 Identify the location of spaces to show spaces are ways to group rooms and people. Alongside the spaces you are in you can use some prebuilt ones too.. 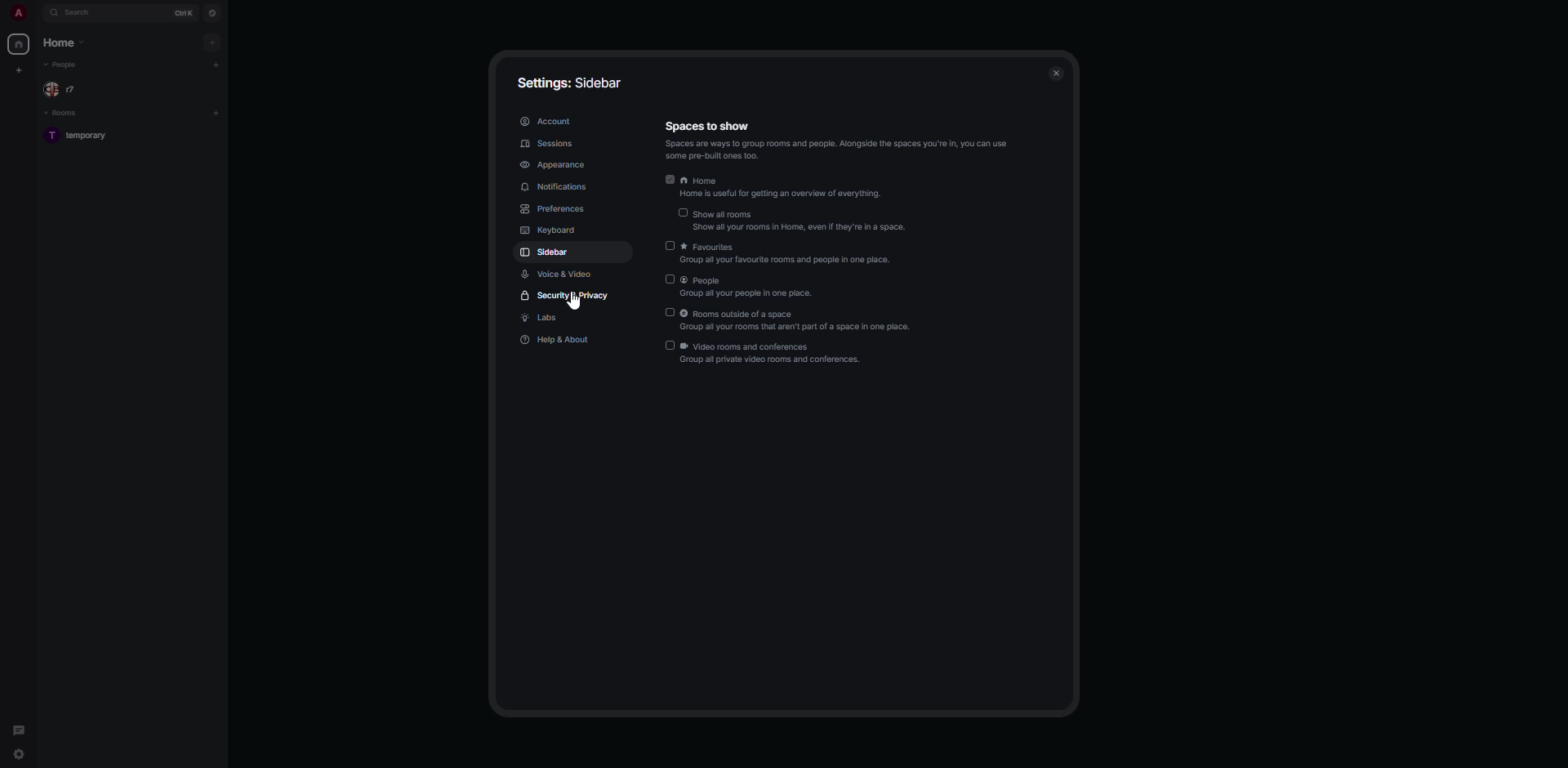
(841, 138).